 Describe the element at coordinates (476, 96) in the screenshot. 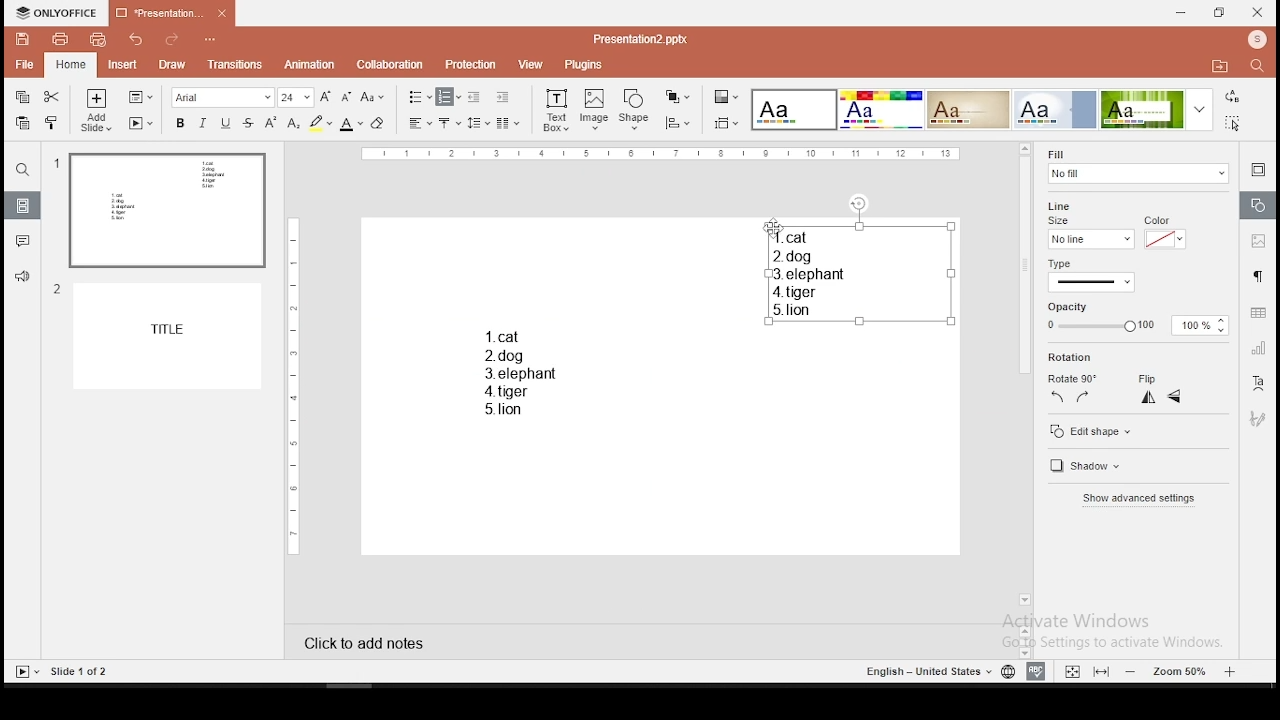

I see `decrease indent` at that location.